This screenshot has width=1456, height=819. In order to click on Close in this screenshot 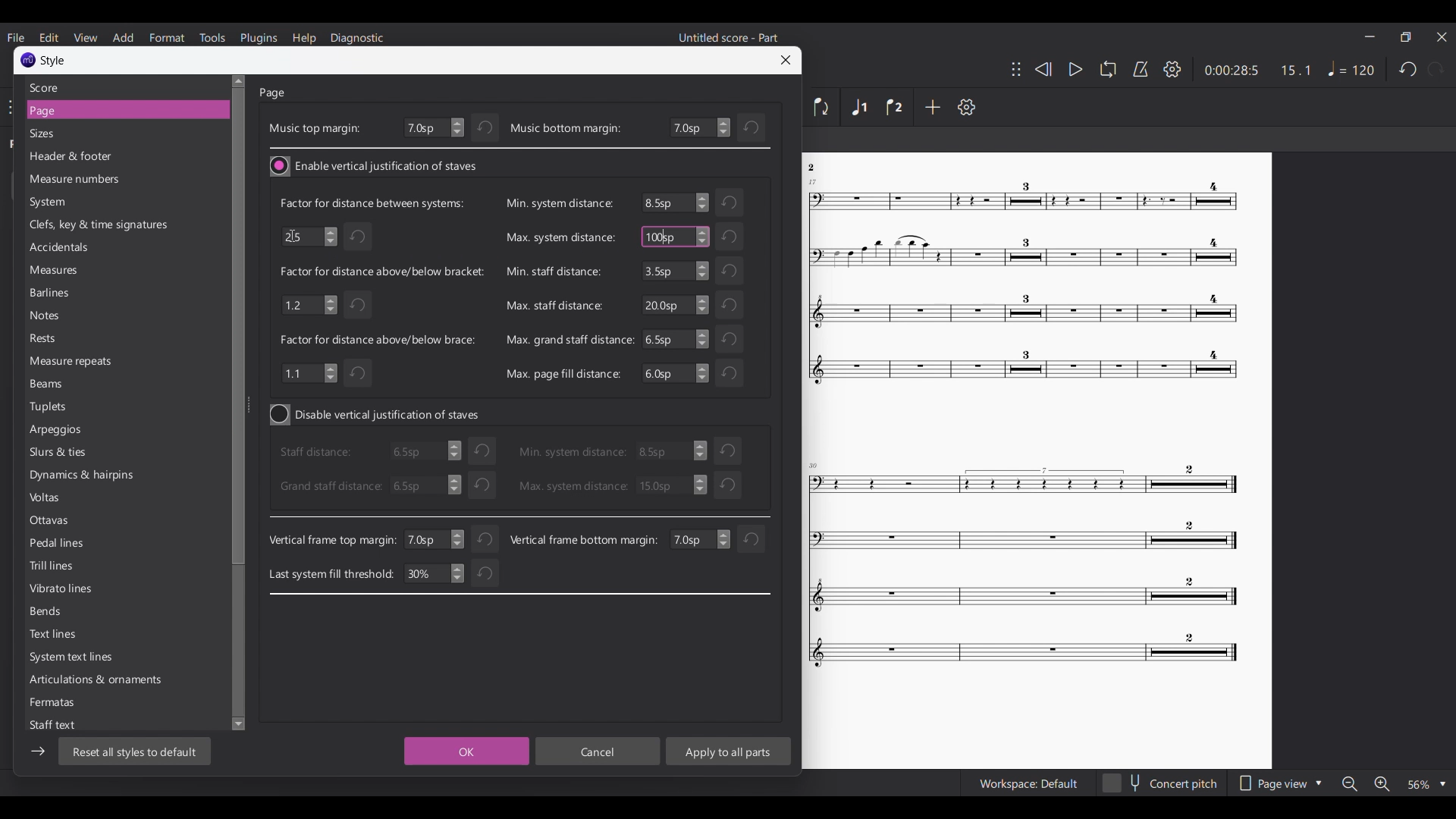, I will do `click(786, 60)`.